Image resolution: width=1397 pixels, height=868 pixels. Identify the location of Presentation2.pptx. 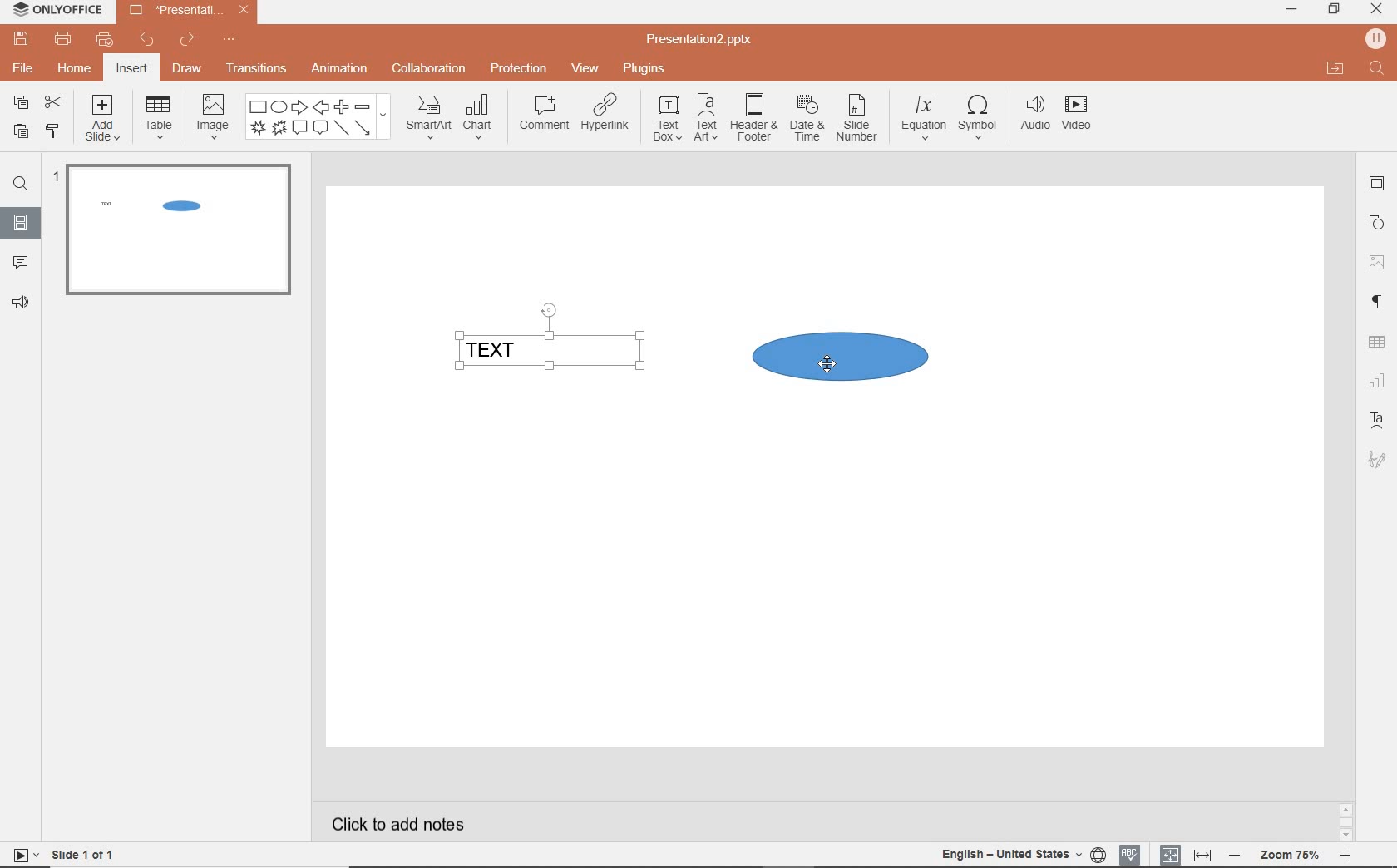
(700, 40).